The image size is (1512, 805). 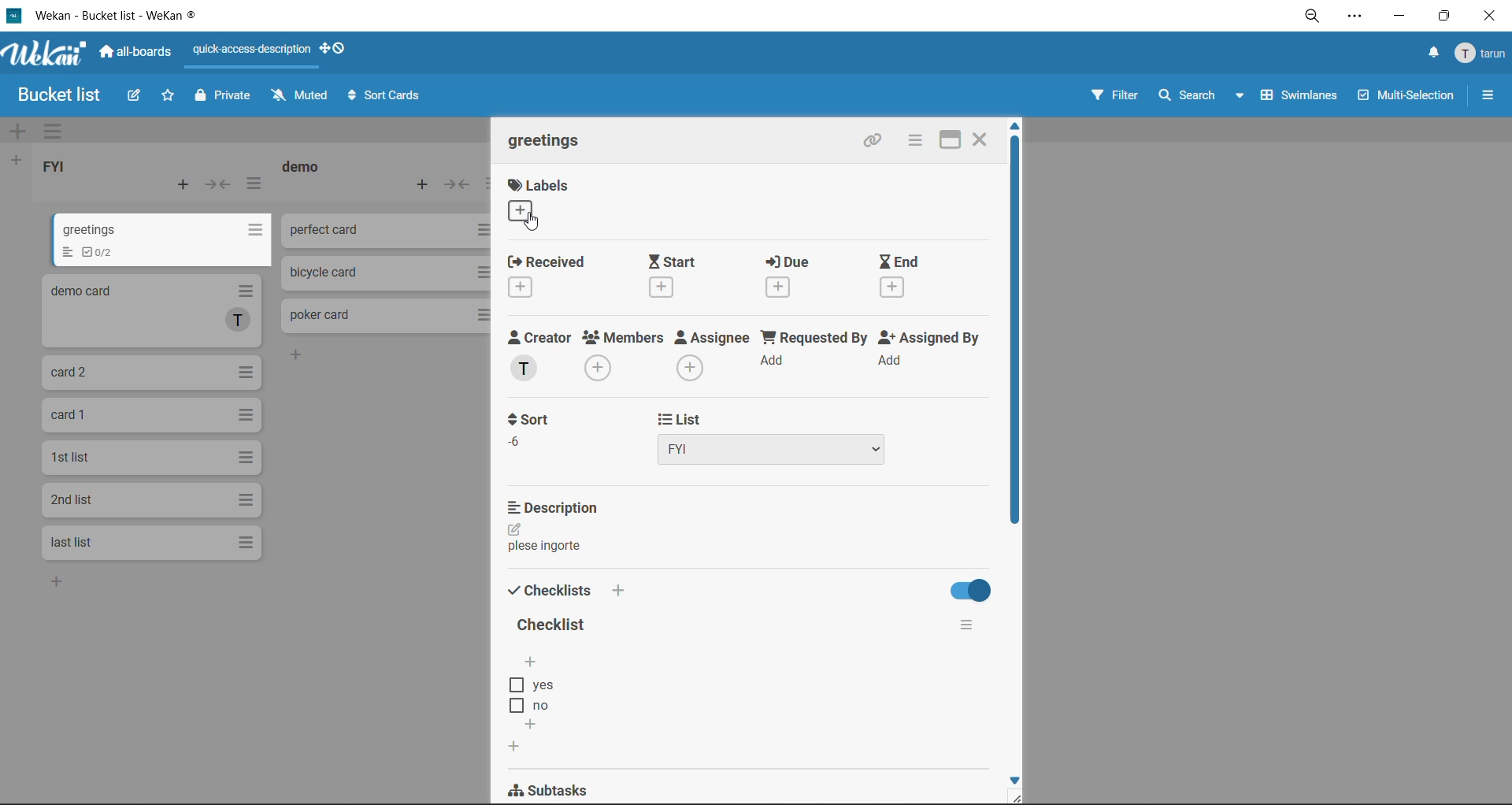 What do you see at coordinates (563, 592) in the screenshot?
I see `checklists` at bounding box center [563, 592].